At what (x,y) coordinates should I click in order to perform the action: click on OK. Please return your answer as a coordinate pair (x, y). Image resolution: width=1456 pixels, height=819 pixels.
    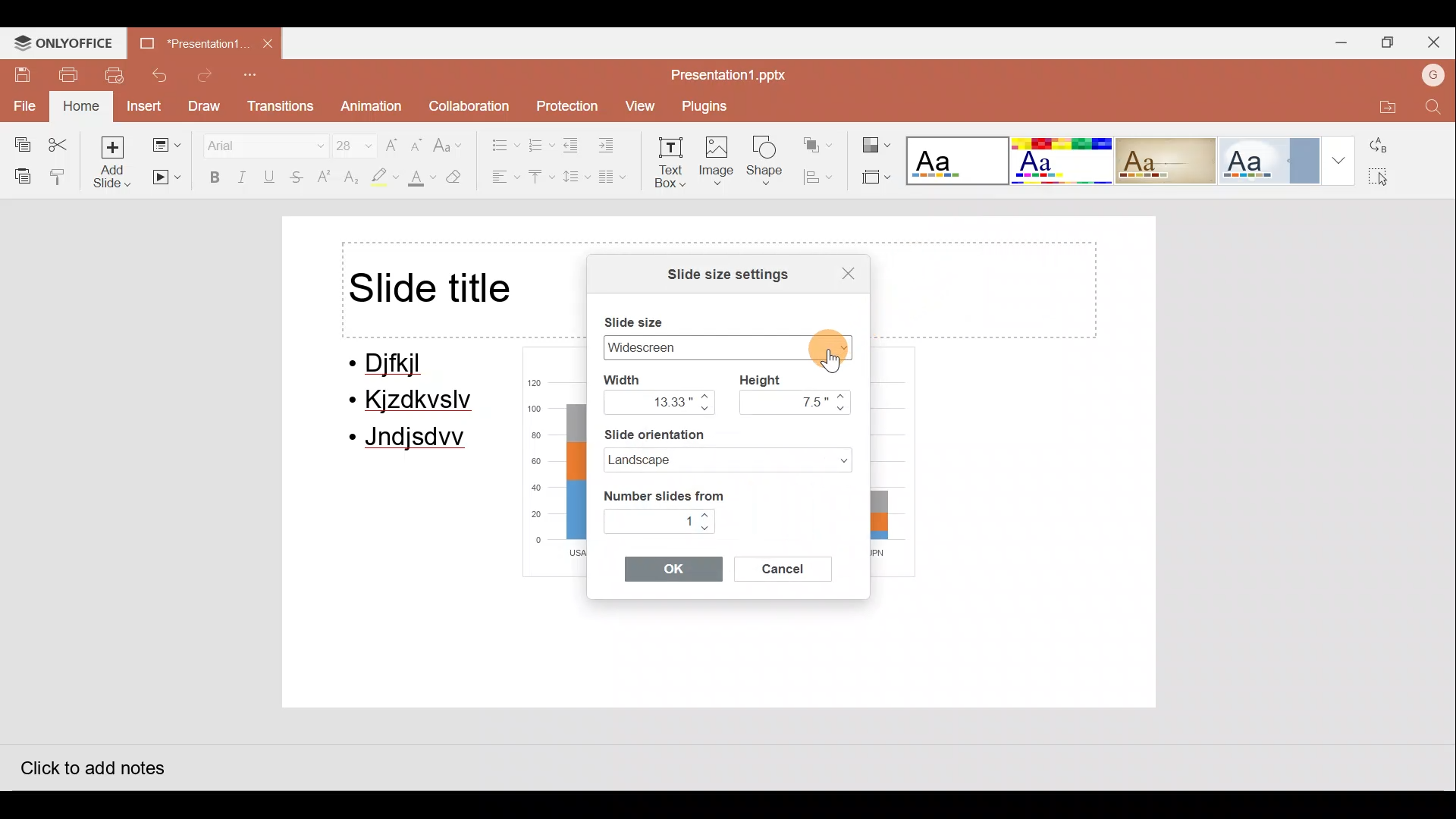
    Looking at the image, I should click on (674, 568).